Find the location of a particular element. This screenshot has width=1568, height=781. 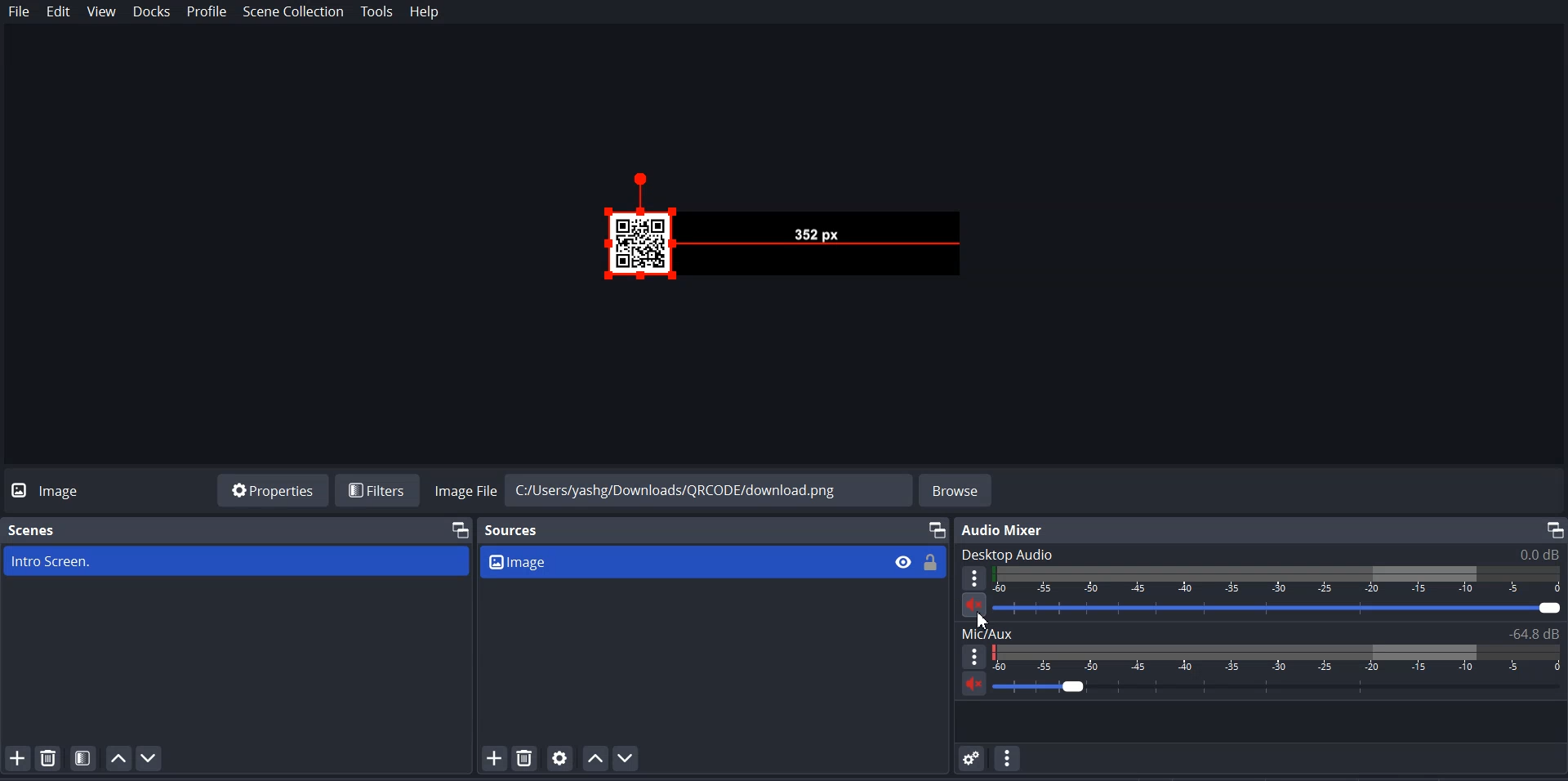

Maximize is located at coordinates (461, 529).